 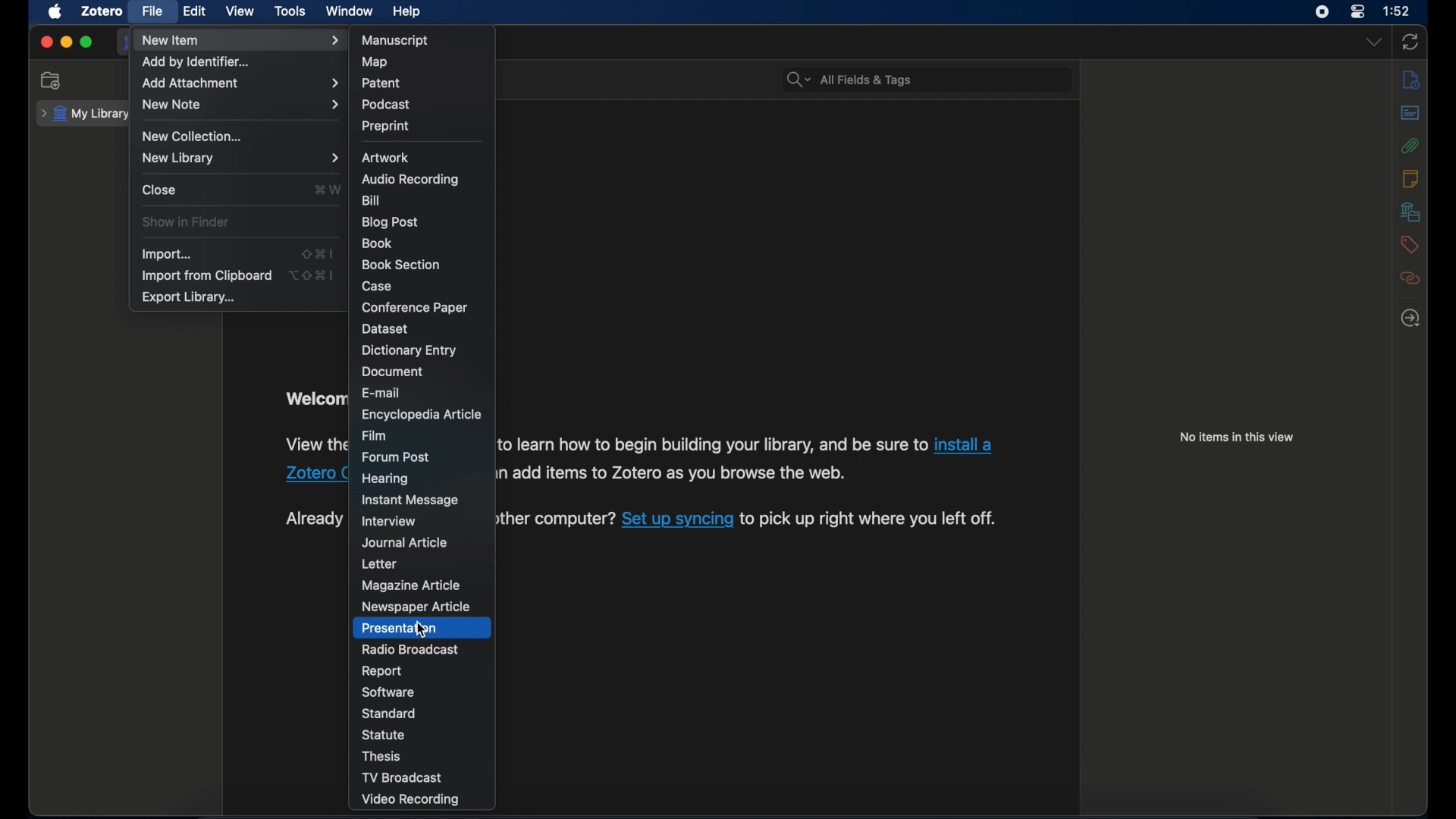 I want to click on video recording, so click(x=413, y=800).